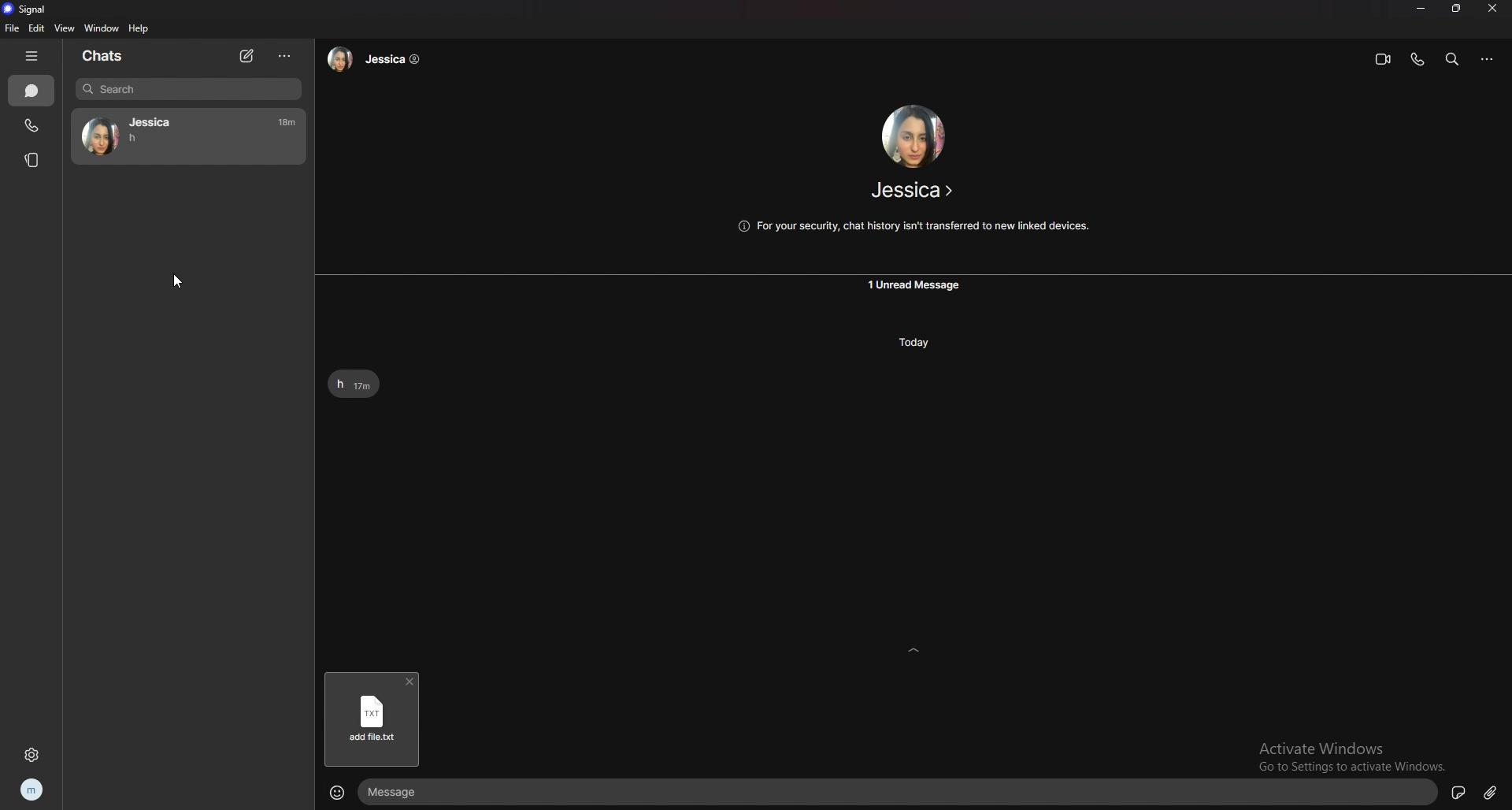 The height and width of the screenshot is (810, 1512). I want to click on add file, so click(371, 728).